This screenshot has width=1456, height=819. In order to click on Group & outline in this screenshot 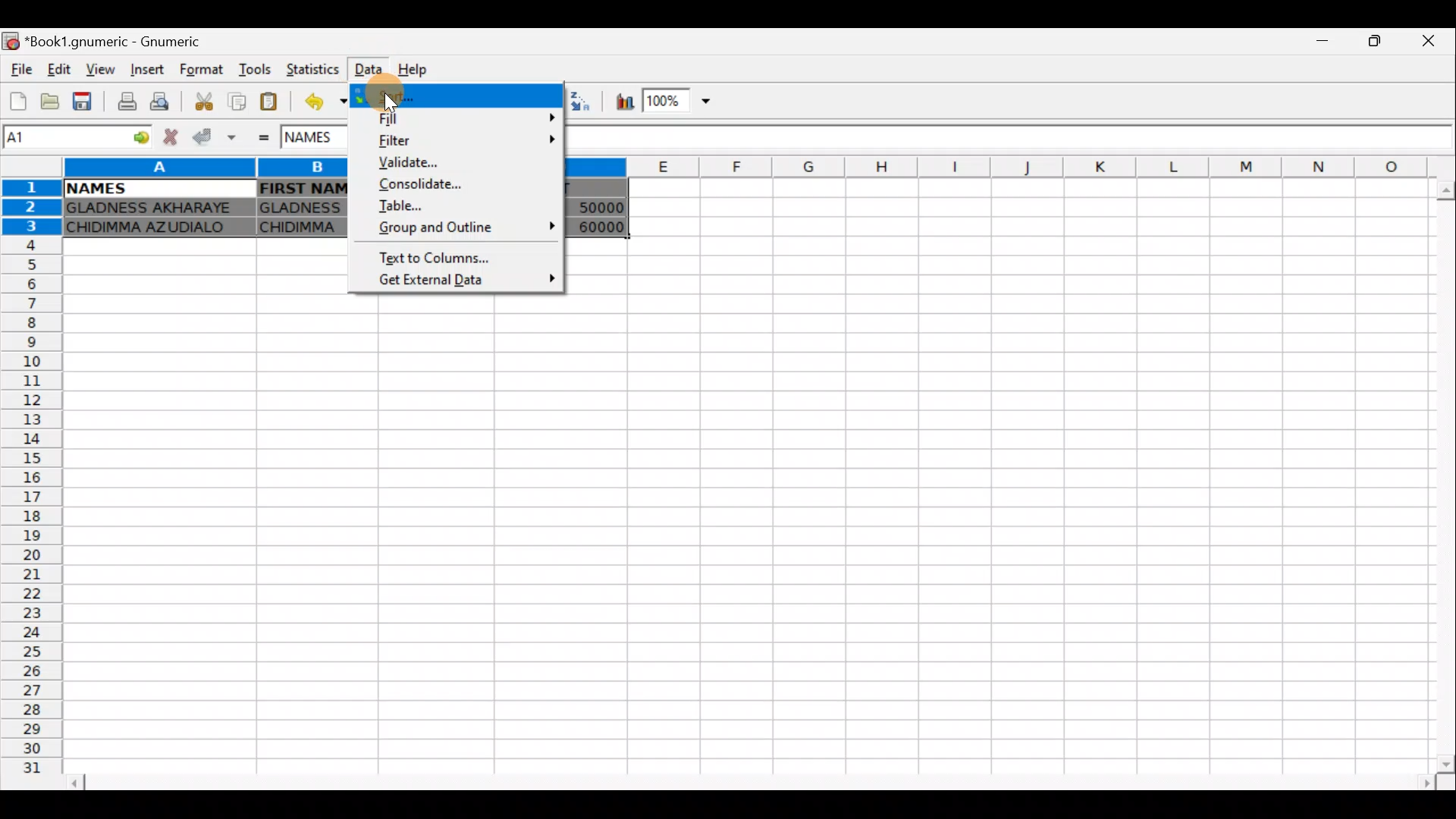, I will do `click(466, 228)`.